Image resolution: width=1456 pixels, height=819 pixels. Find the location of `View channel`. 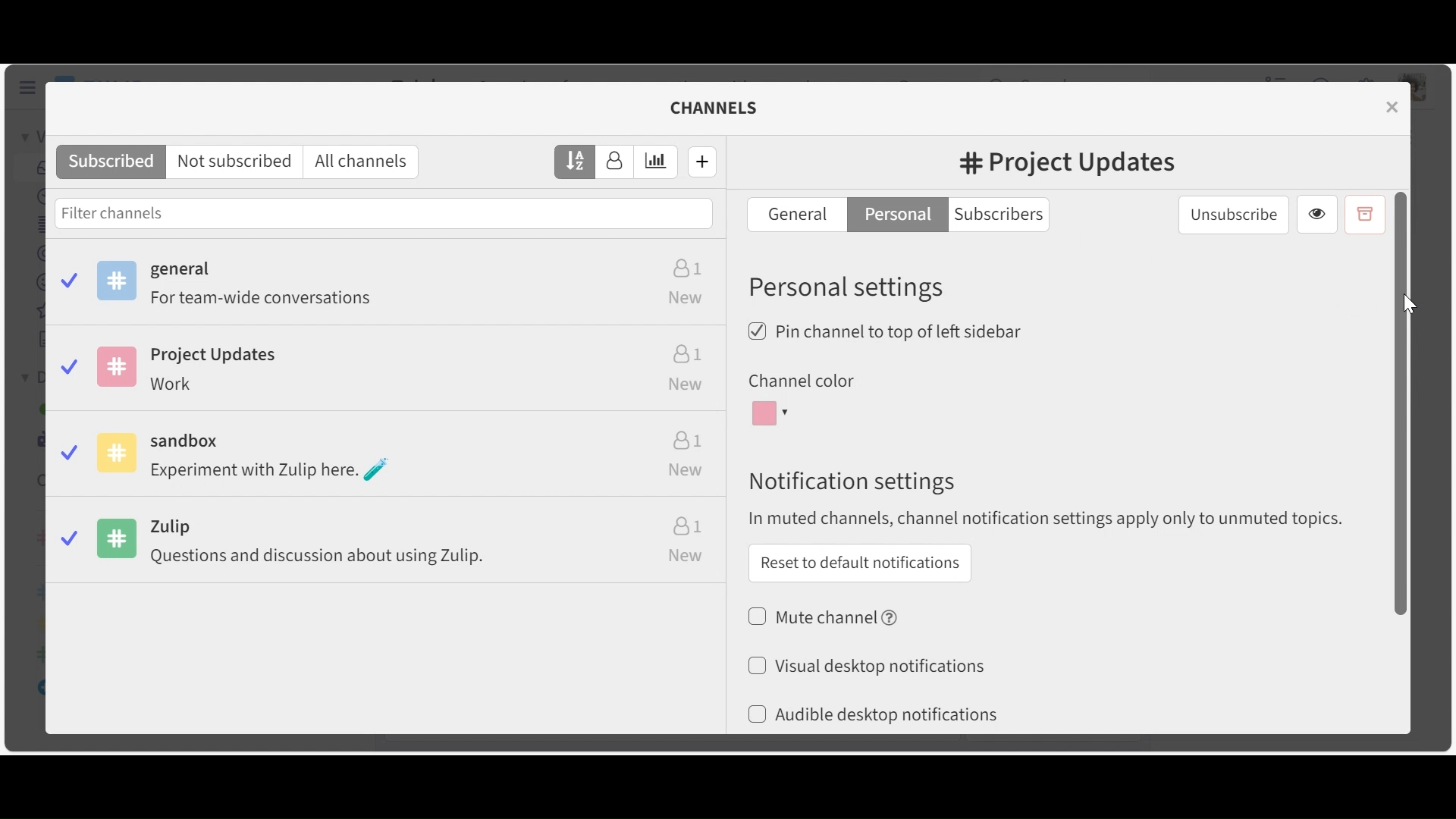

View channel is located at coordinates (1317, 216).